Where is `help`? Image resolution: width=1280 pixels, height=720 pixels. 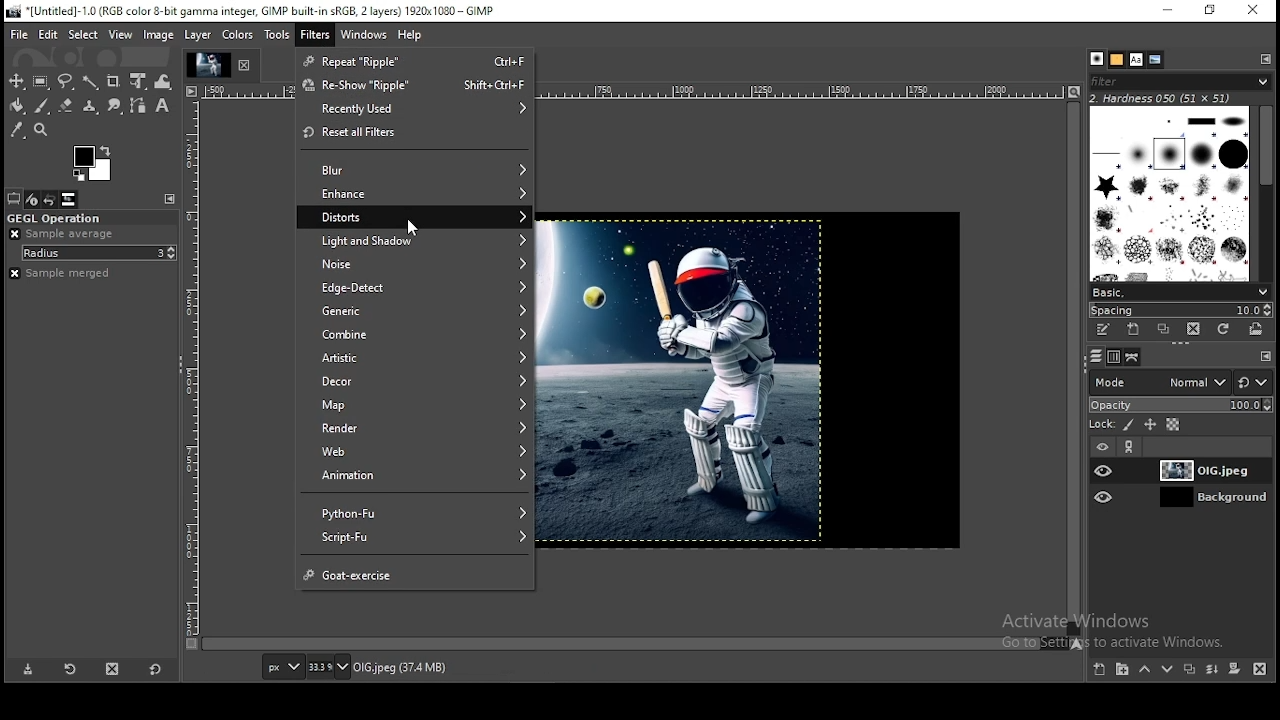 help is located at coordinates (410, 34).